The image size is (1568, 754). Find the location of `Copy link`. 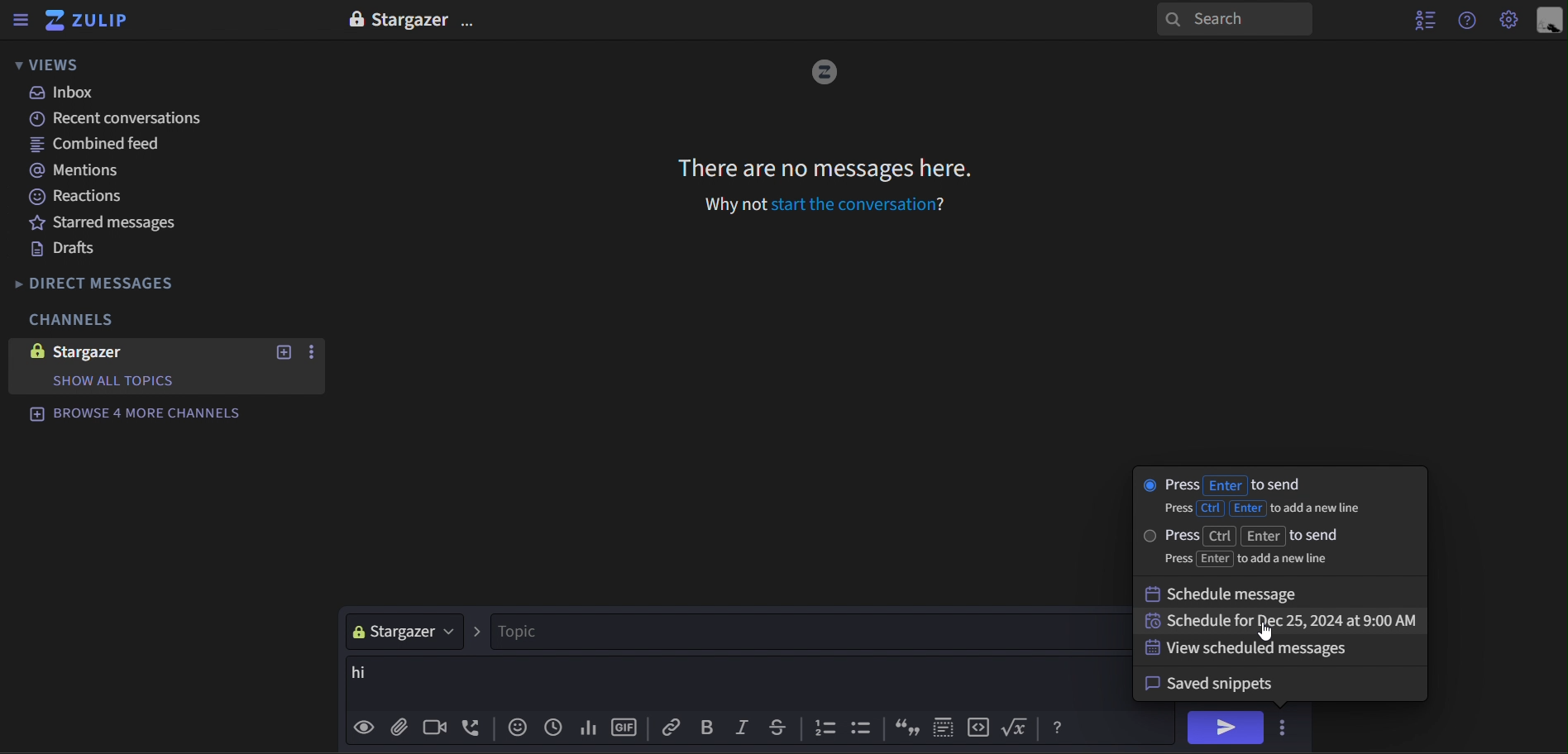

Copy link is located at coordinates (672, 728).